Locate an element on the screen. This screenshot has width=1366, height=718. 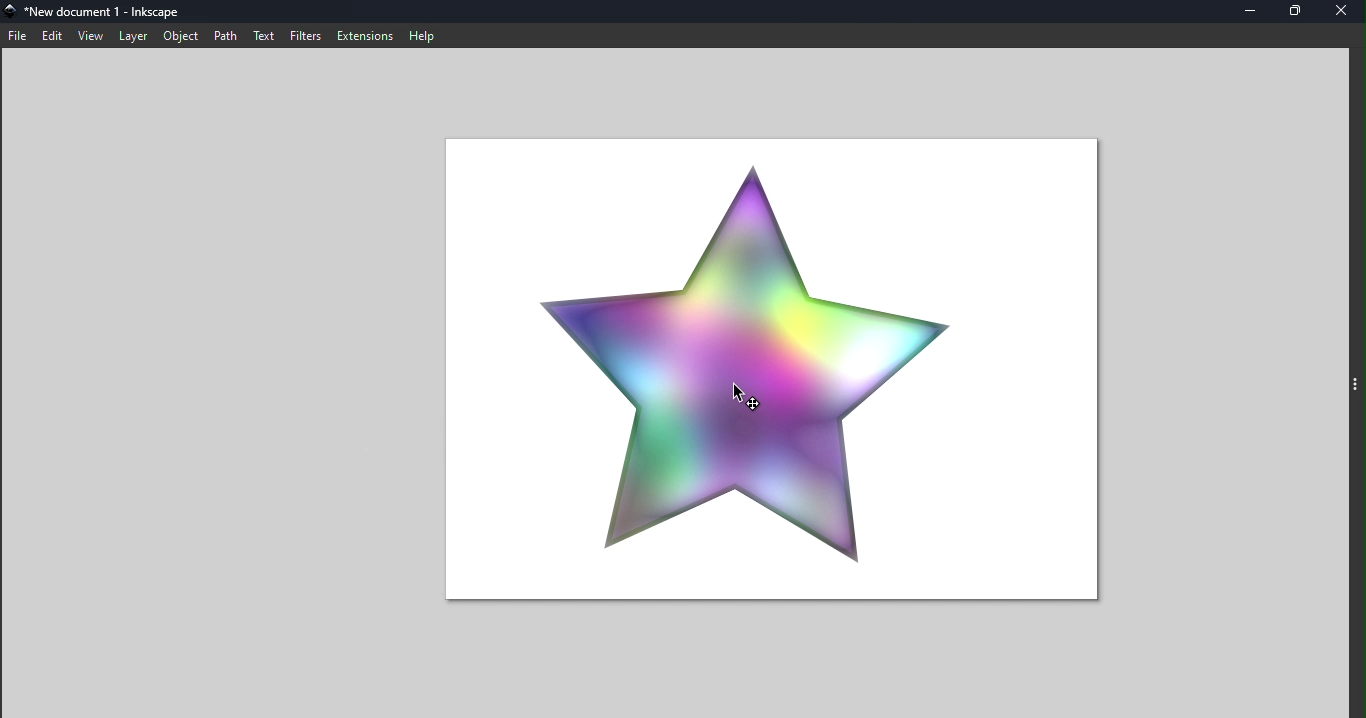
Path is located at coordinates (228, 37).